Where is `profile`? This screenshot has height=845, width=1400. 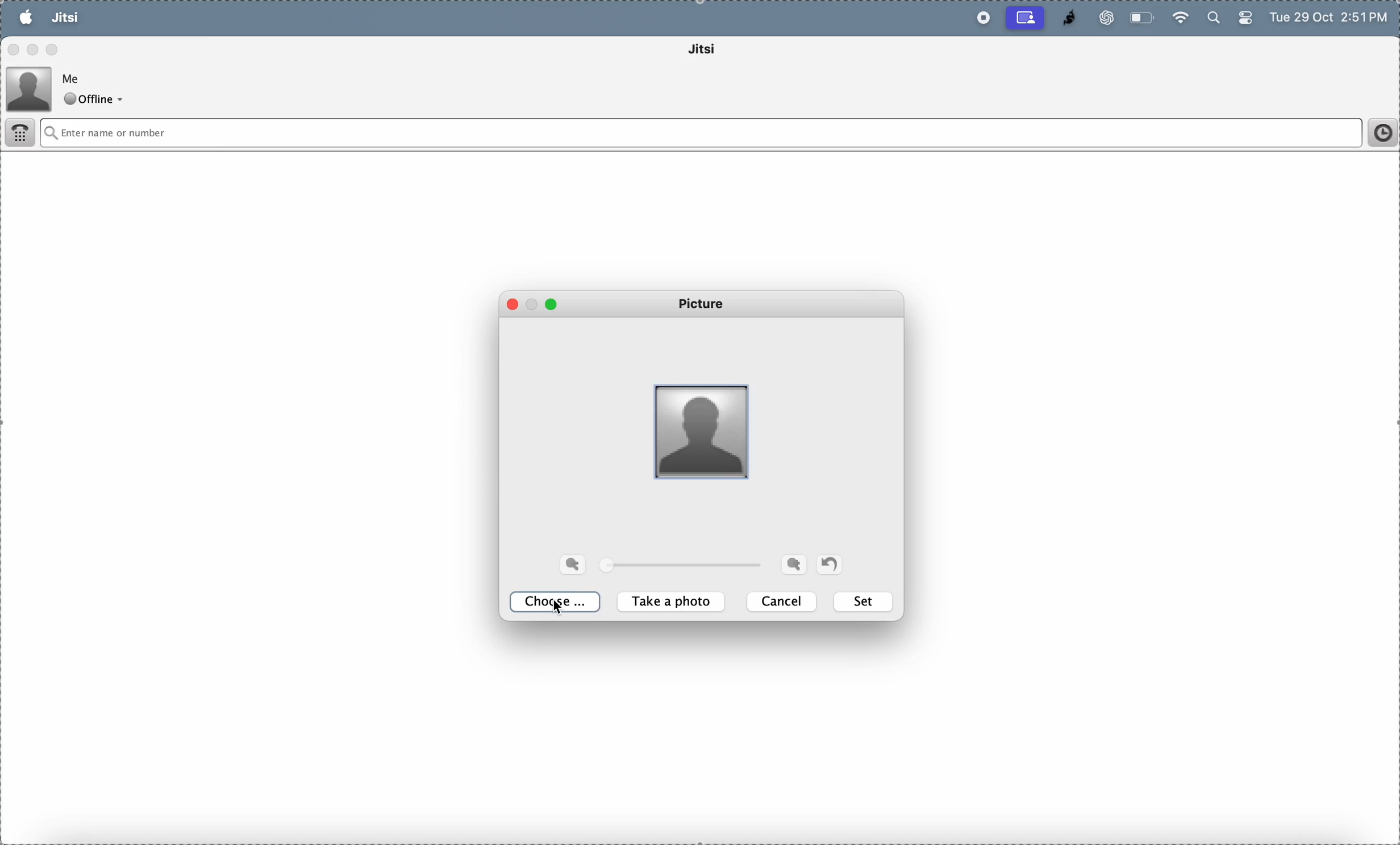
profile is located at coordinates (30, 87).